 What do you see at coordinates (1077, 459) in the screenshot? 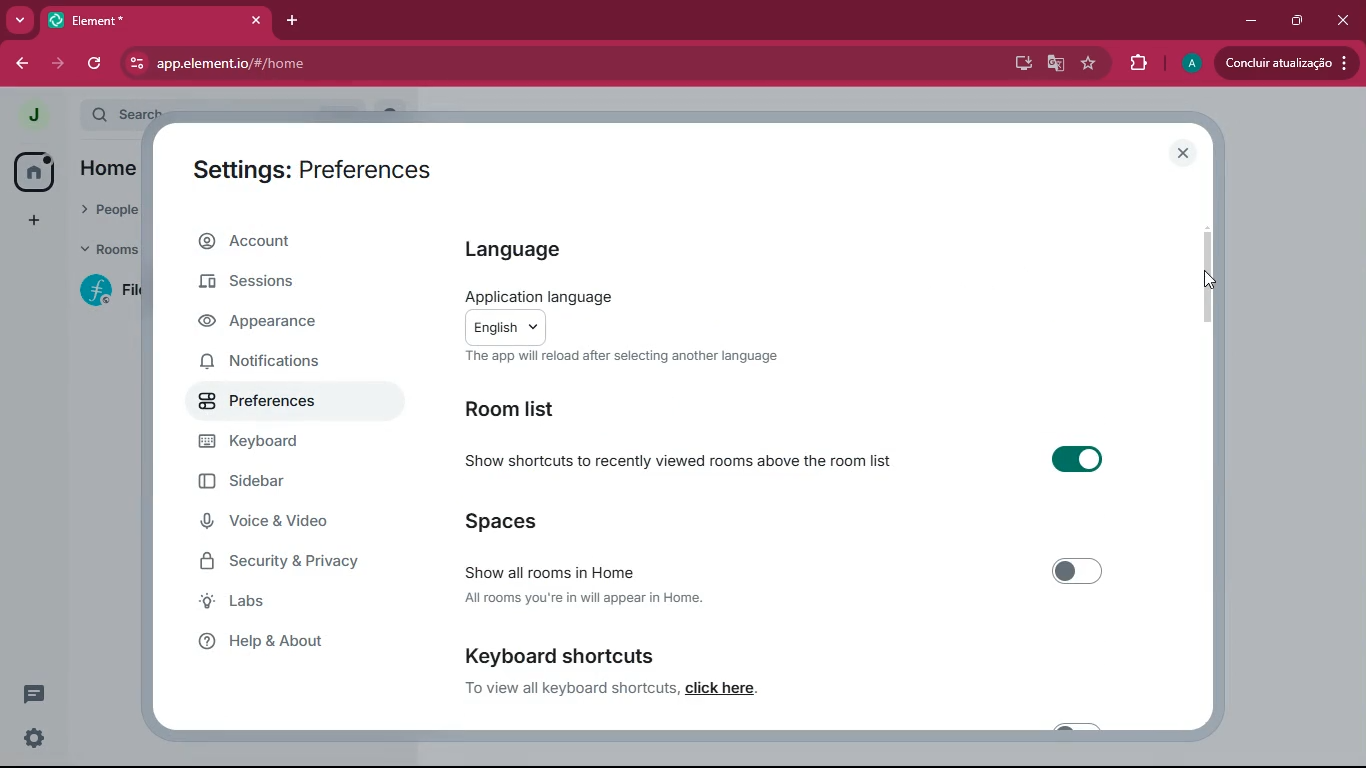
I see `toggle on/off` at bounding box center [1077, 459].